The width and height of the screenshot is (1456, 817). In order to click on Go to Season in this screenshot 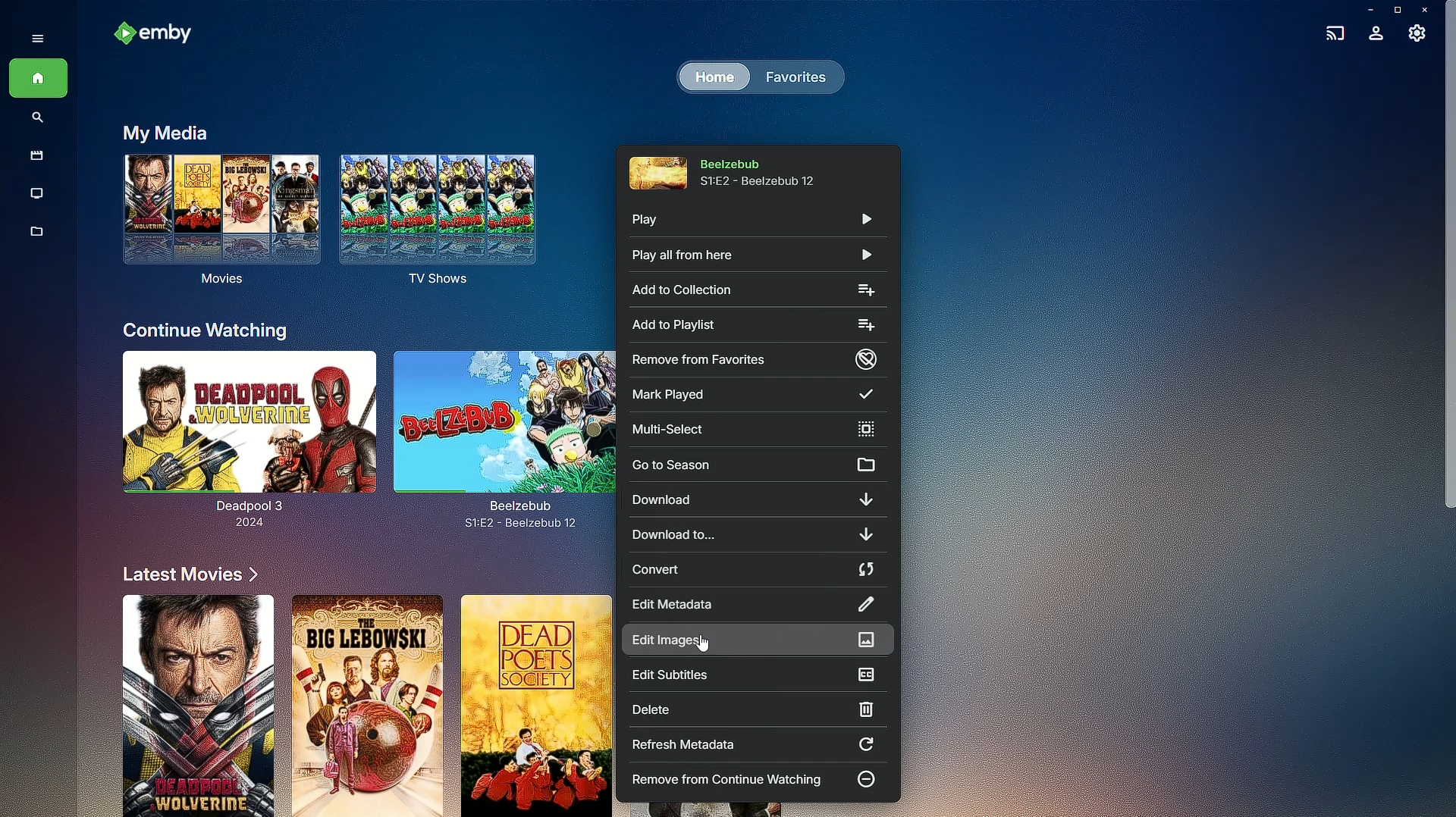, I will do `click(761, 462)`.